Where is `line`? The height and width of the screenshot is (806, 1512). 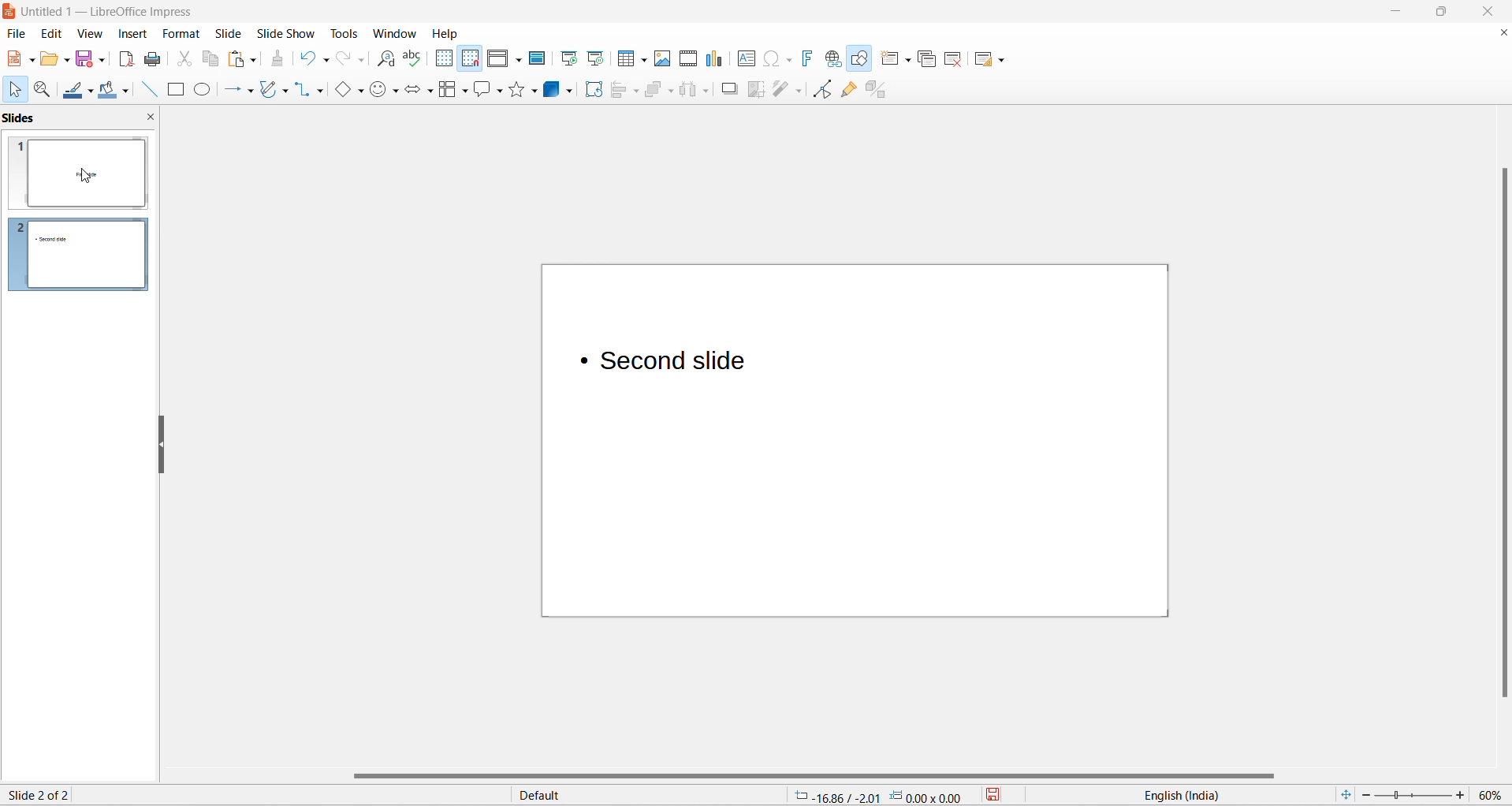 line is located at coordinates (148, 91).